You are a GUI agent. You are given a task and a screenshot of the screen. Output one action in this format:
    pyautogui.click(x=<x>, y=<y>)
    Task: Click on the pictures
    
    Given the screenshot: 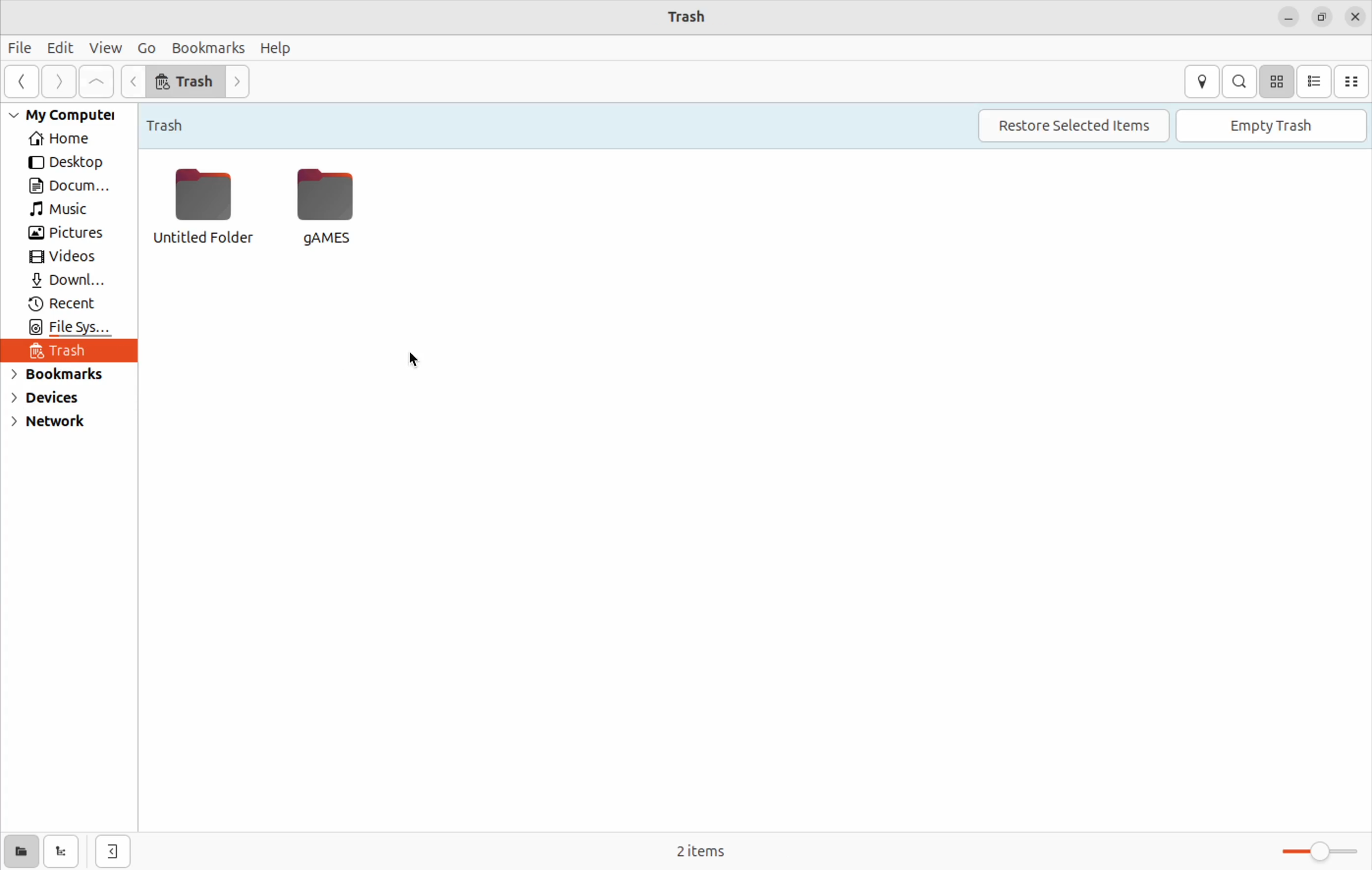 What is the action you would take?
    pyautogui.click(x=66, y=234)
    